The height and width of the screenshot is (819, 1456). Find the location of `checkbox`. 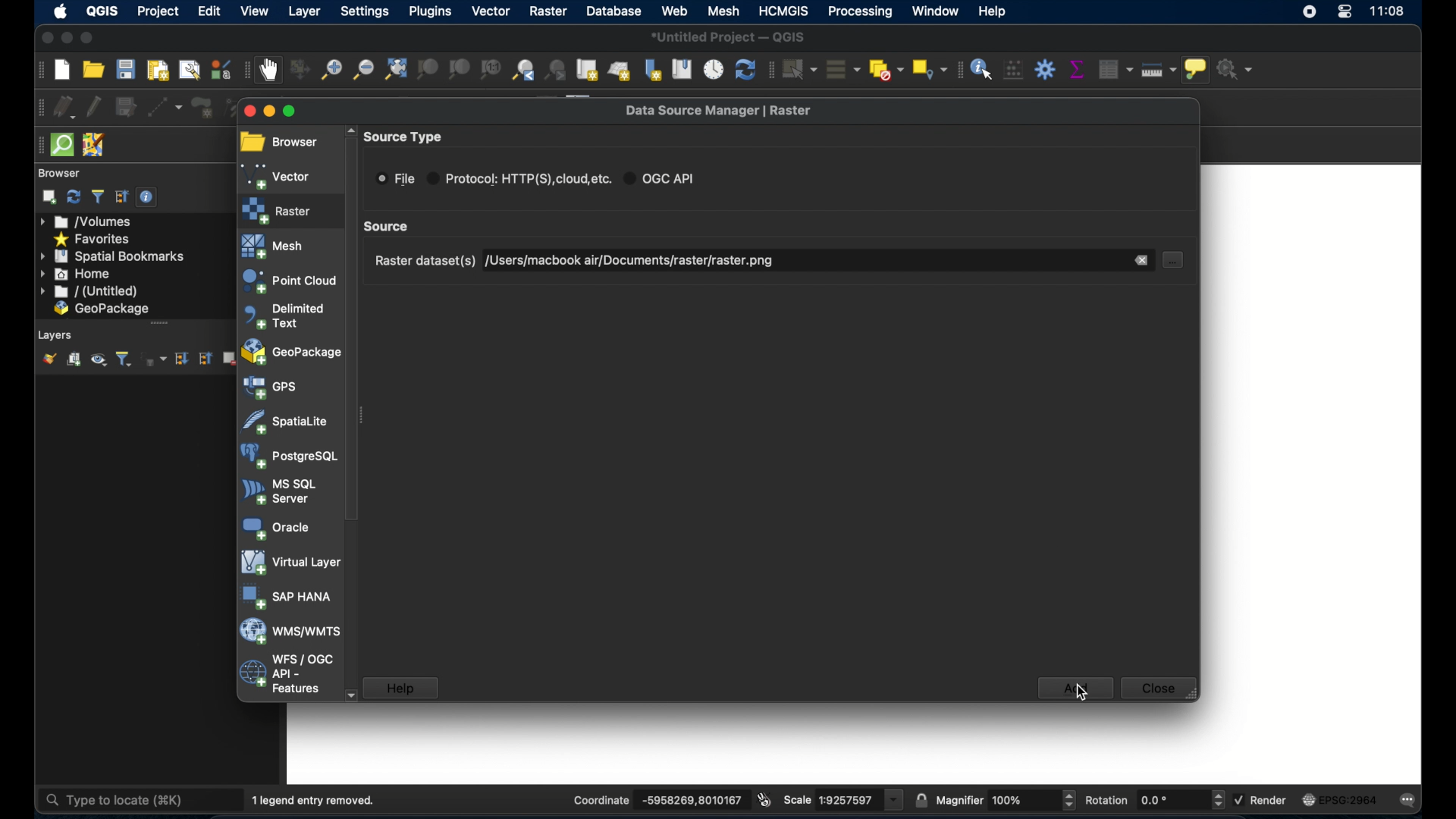

checkbox is located at coordinates (1238, 799).